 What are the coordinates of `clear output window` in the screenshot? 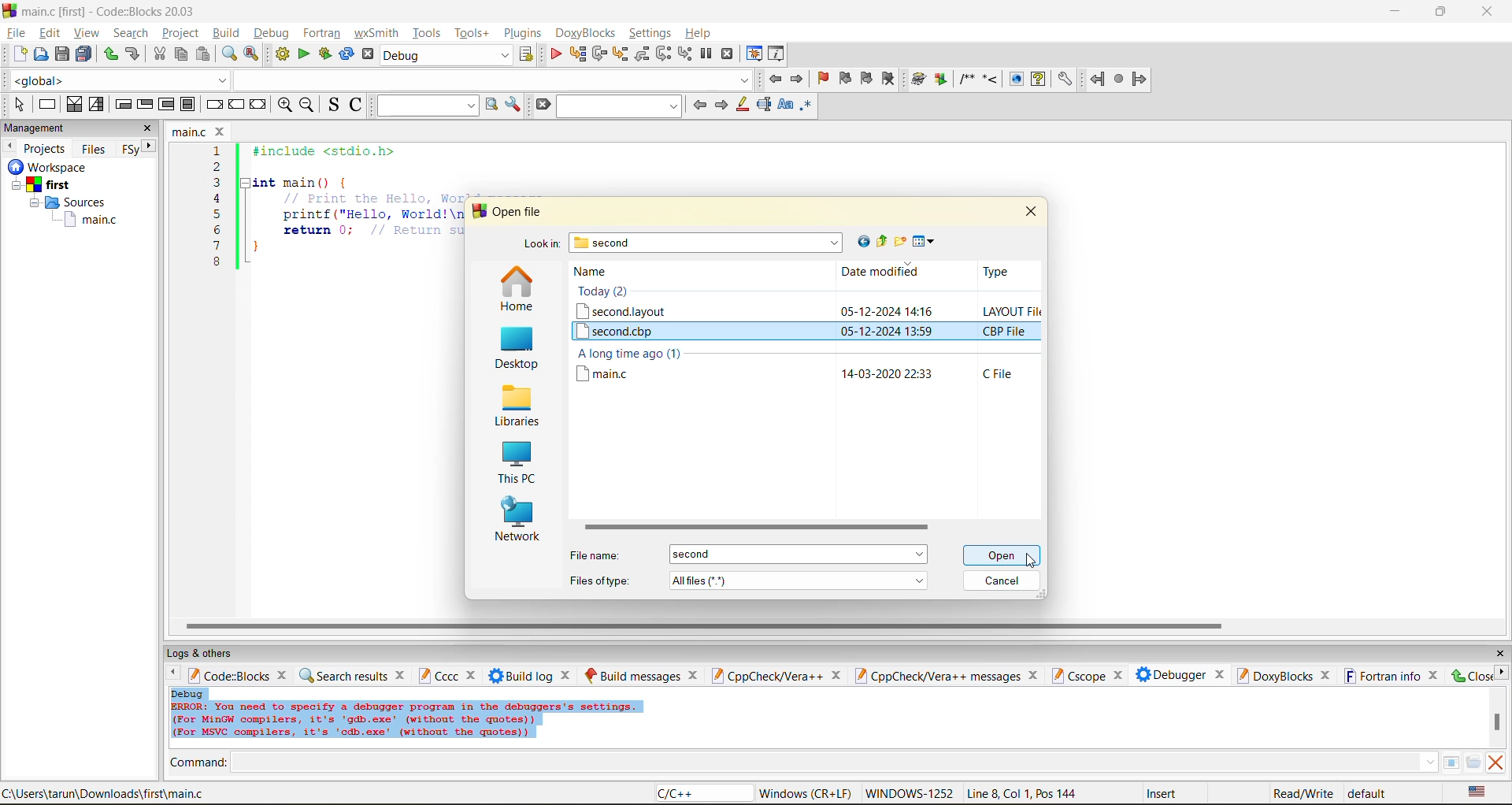 It's located at (1495, 762).